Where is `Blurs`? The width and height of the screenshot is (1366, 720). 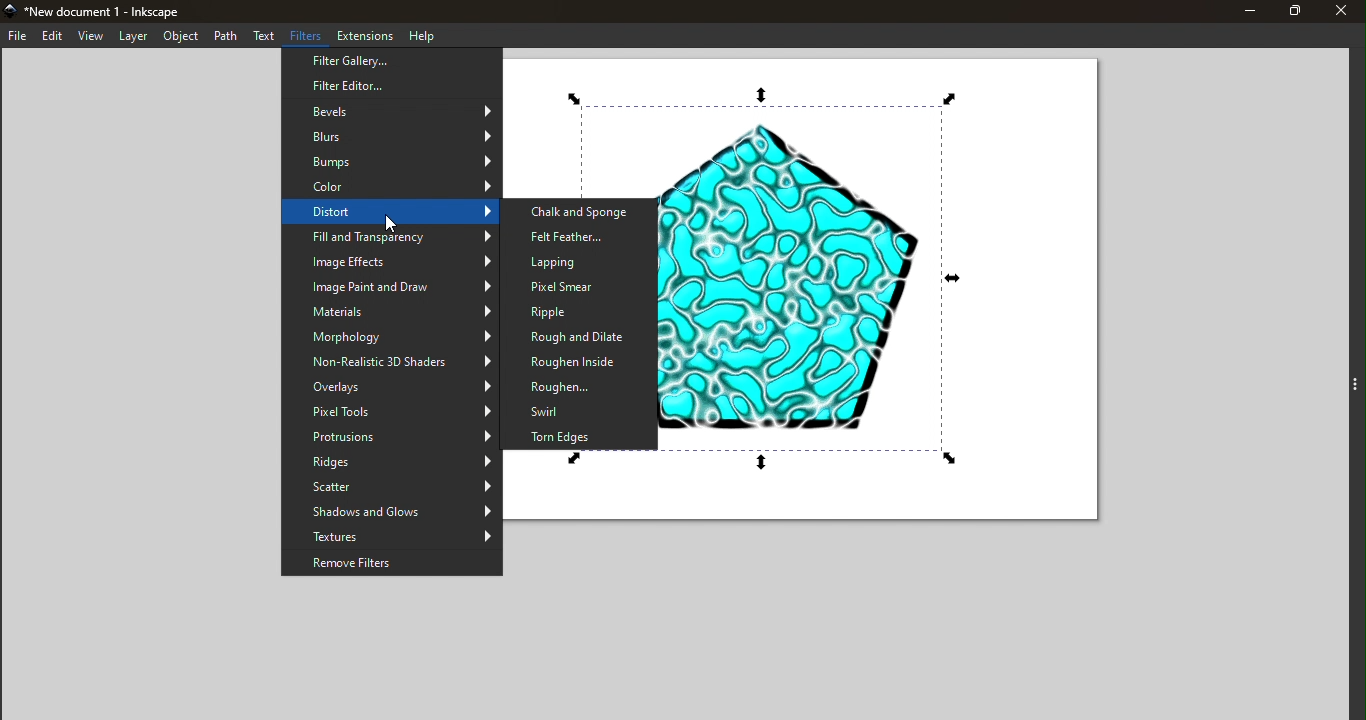
Blurs is located at coordinates (393, 134).